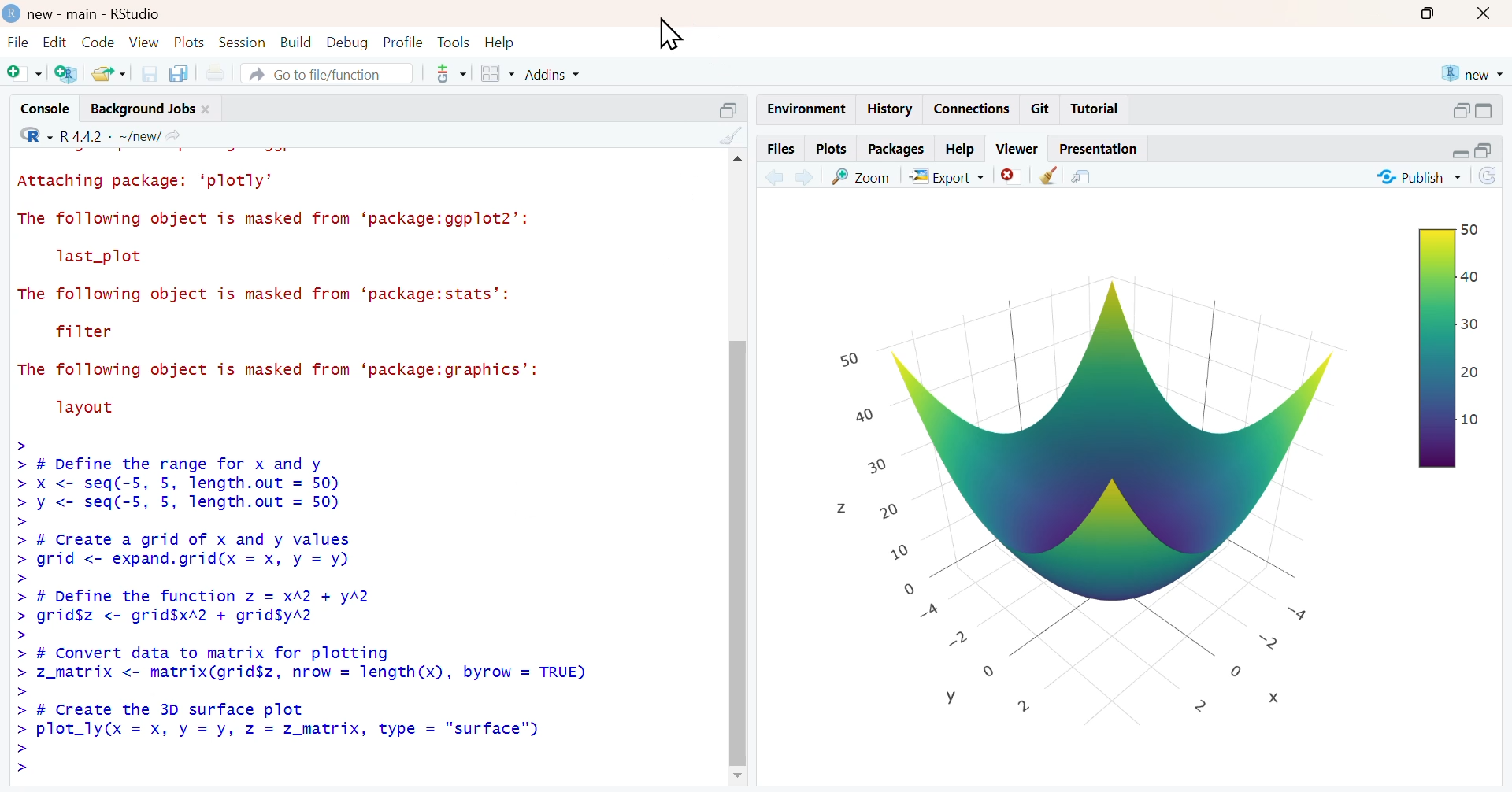 The height and width of the screenshot is (792, 1512). What do you see at coordinates (831, 148) in the screenshot?
I see `plots` at bounding box center [831, 148].